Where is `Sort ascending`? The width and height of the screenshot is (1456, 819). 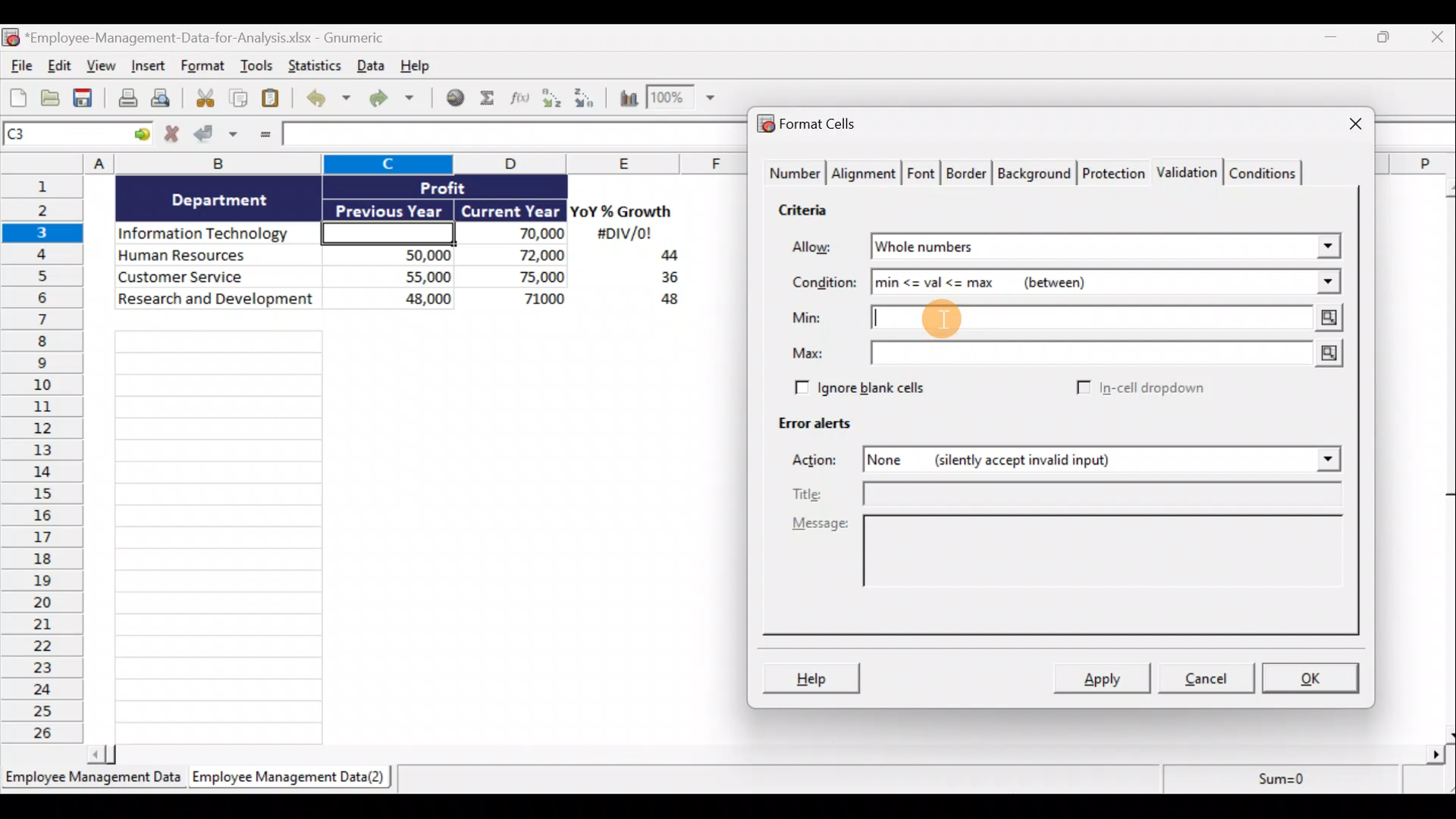
Sort ascending is located at coordinates (551, 98).